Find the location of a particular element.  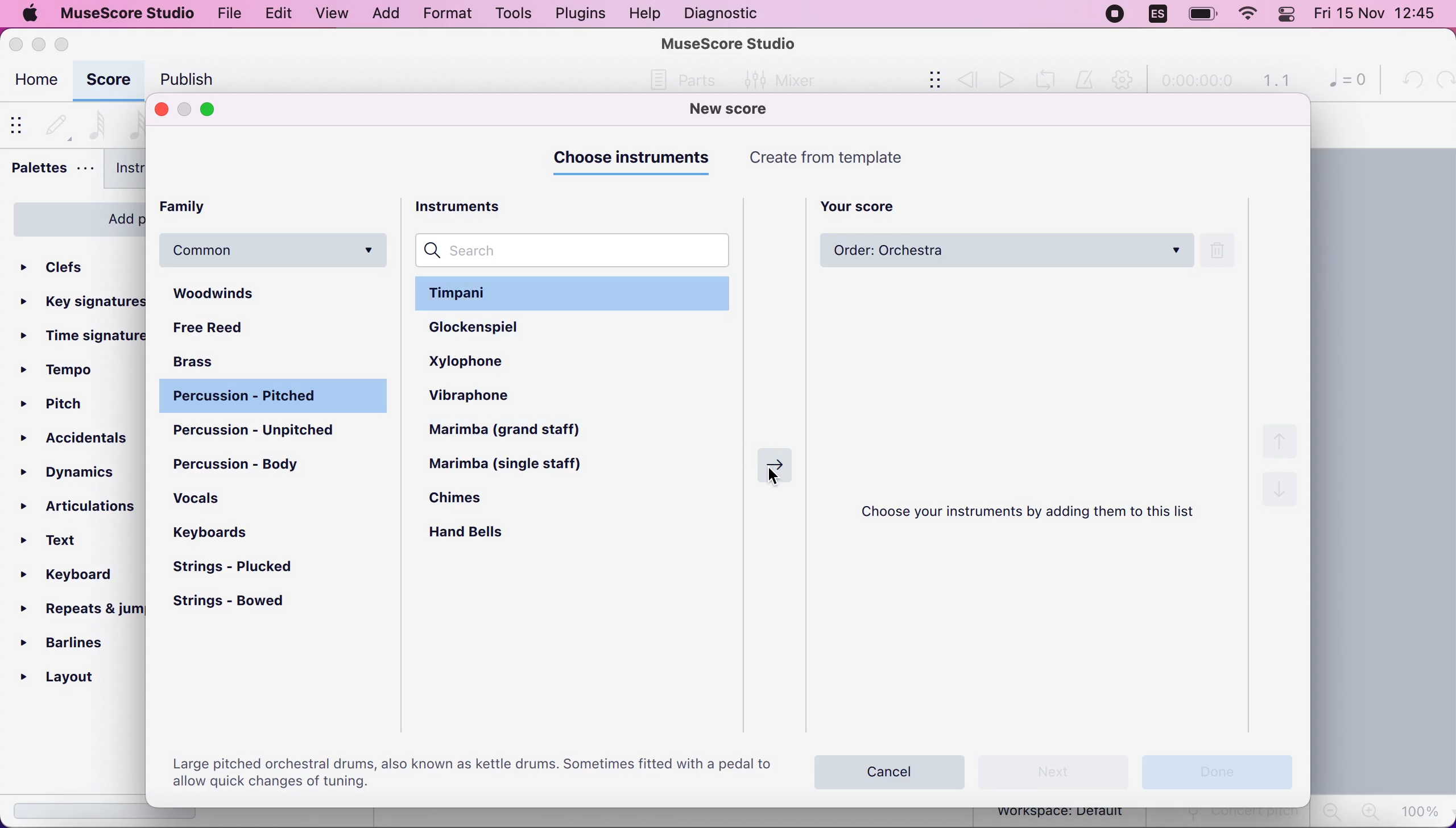

vibraphone is located at coordinates (490, 398).